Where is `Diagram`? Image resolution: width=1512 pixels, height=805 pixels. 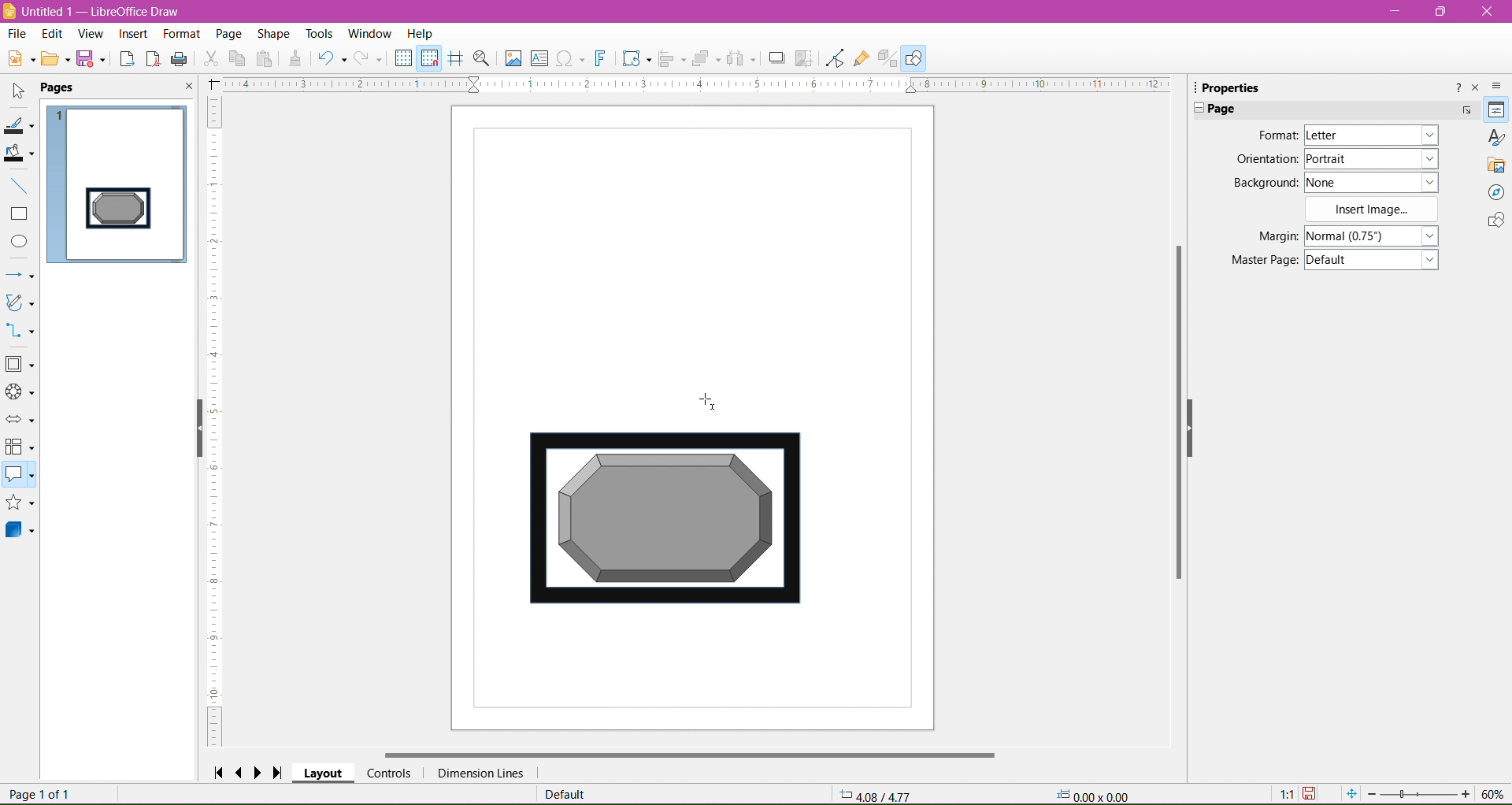 Diagram is located at coordinates (664, 521).